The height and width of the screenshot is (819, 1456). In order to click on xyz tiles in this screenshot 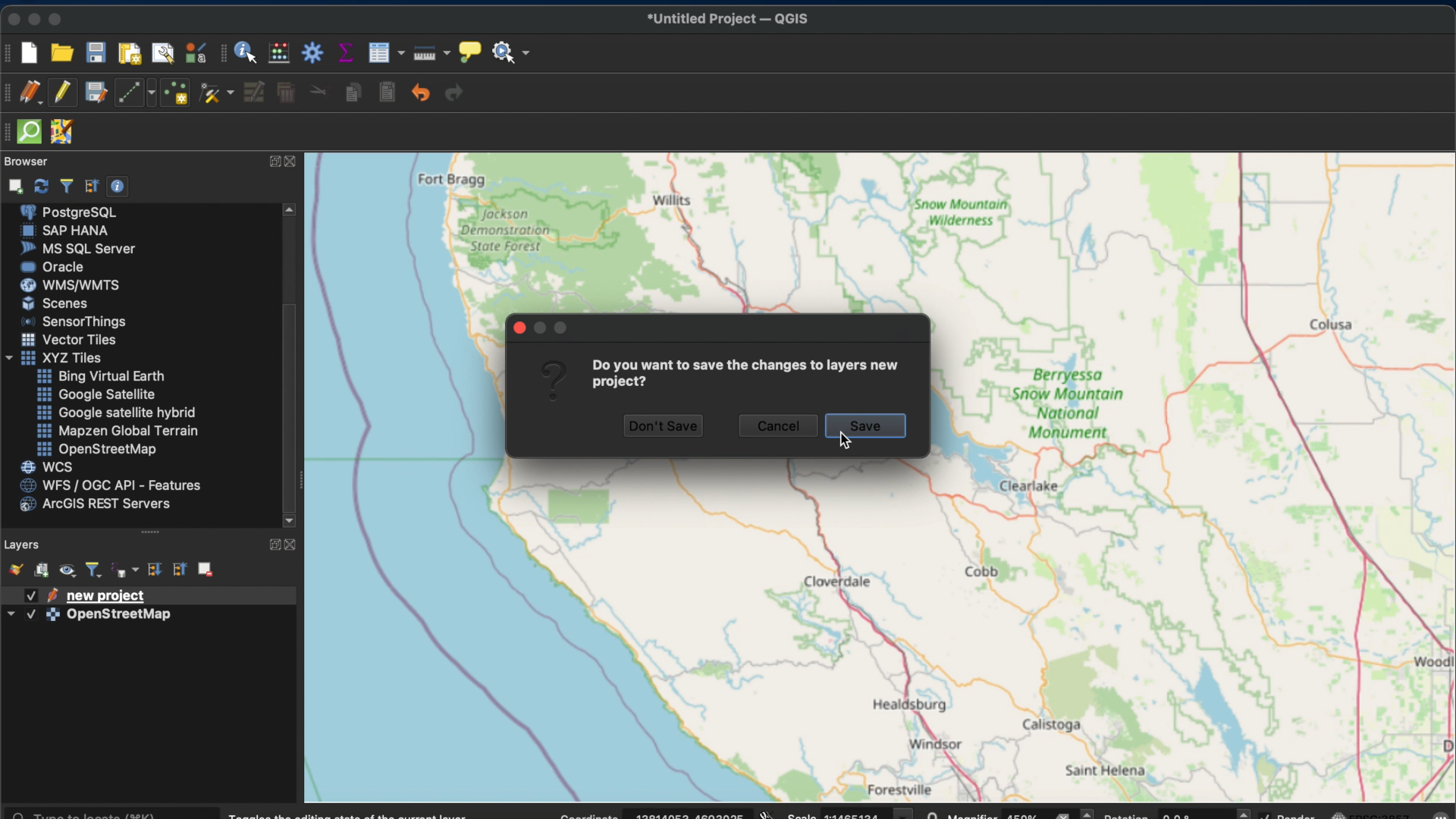, I will do `click(52, 359)`.